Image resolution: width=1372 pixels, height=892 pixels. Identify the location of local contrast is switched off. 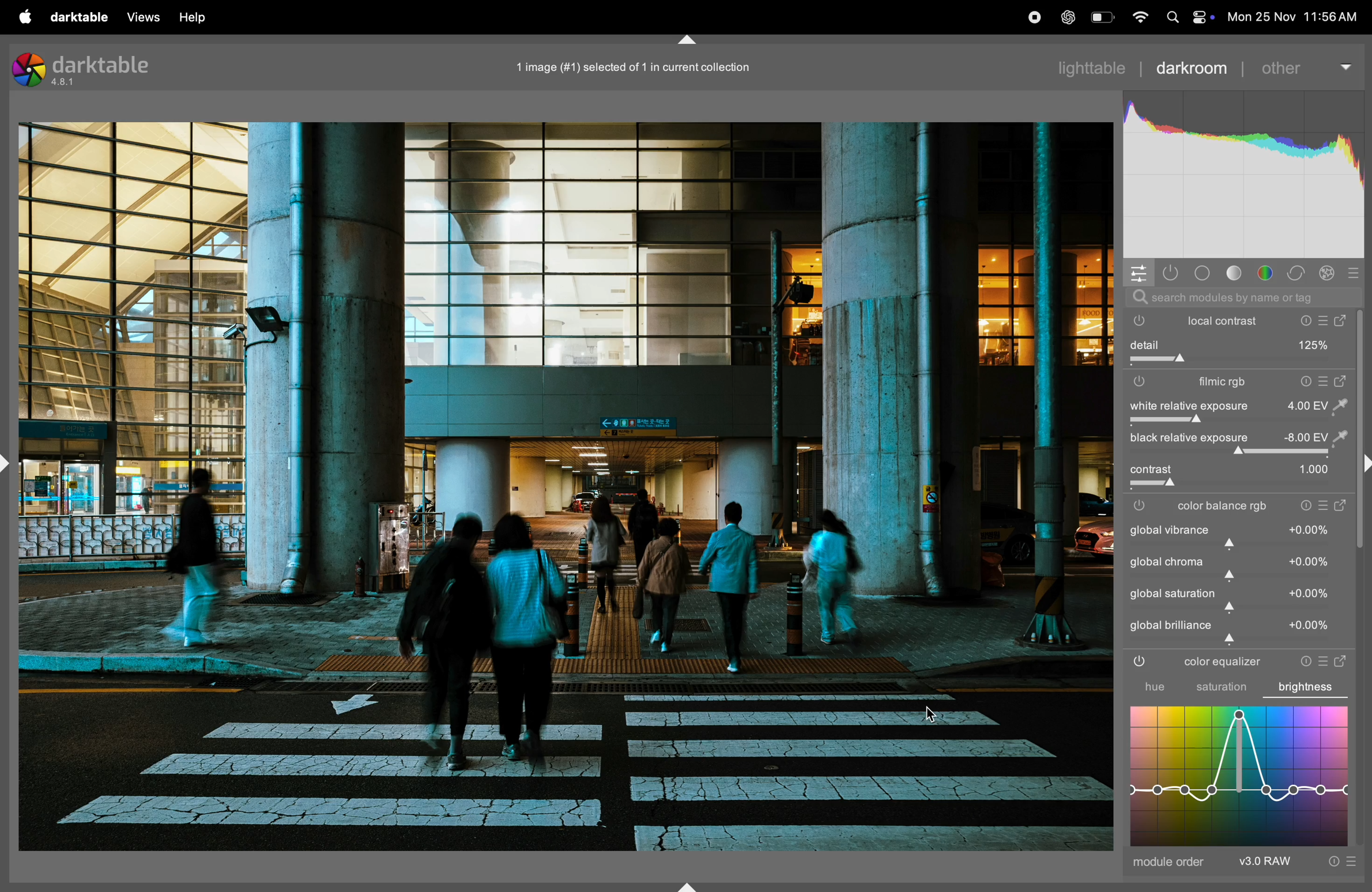
(1136, 322).